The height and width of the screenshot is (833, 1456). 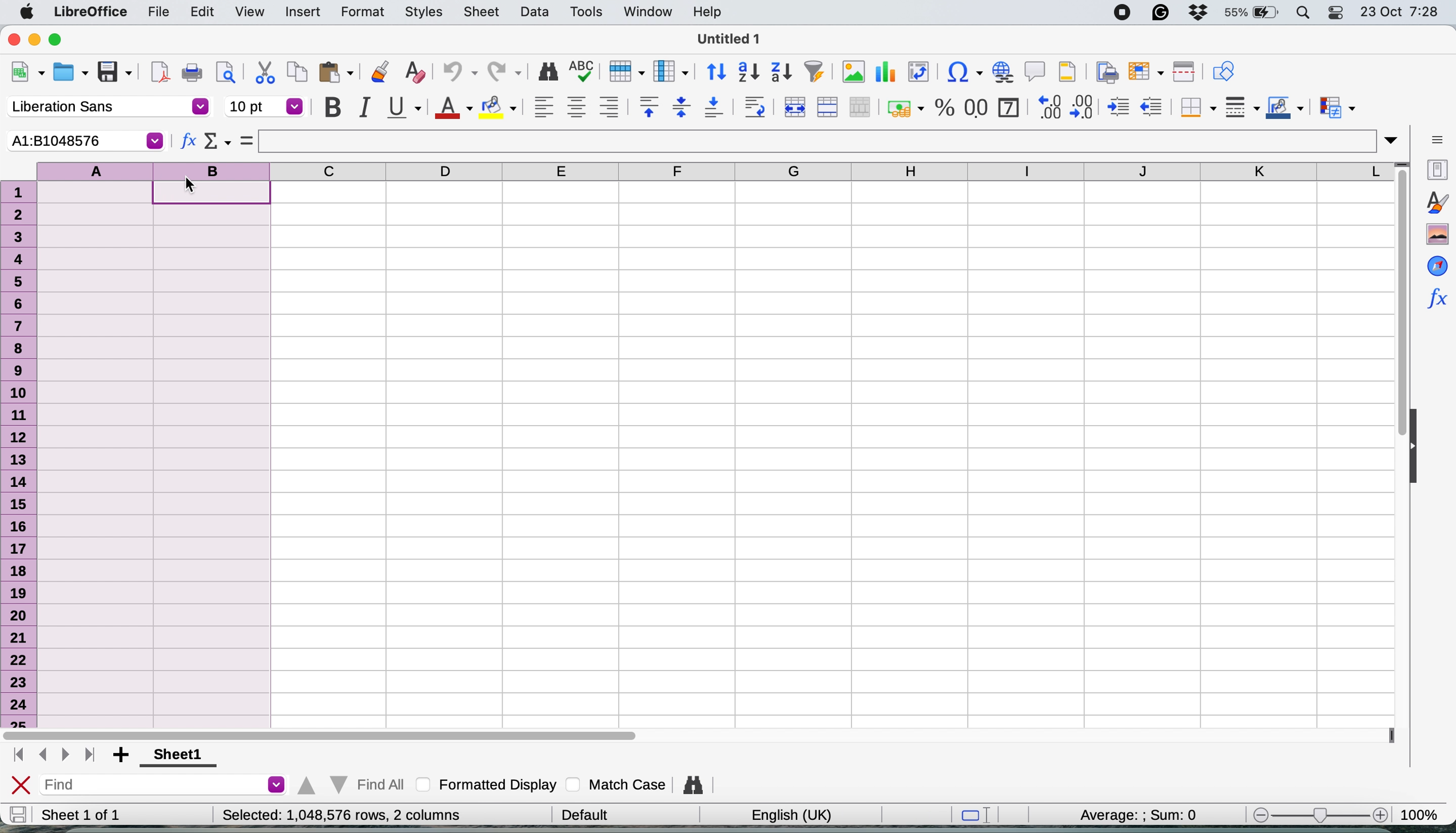 What do you see at coordinates (1417, 444) in the screenshot?
I see `collapse` at bounding box center [1417, 444].